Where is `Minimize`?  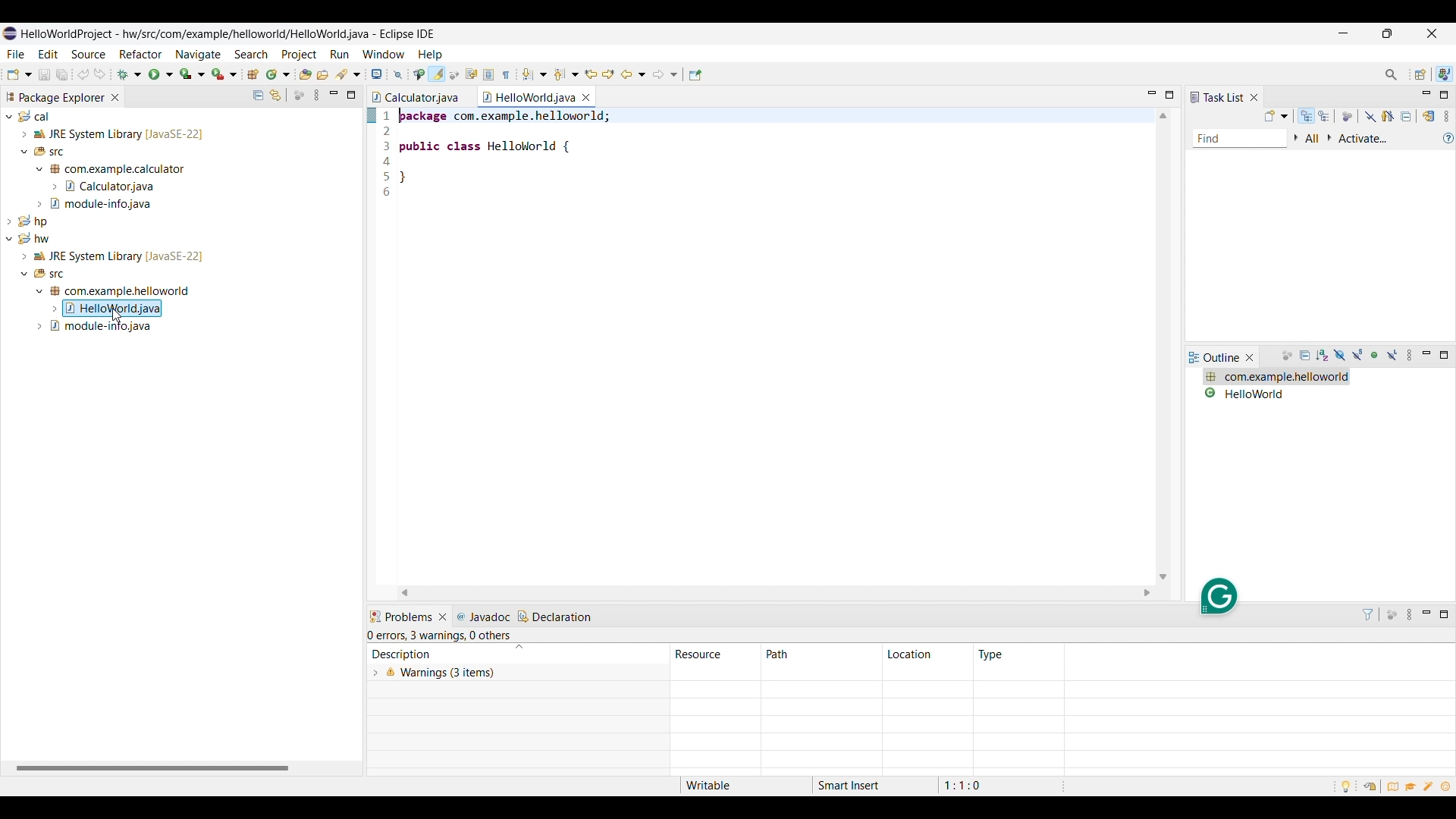 Minimize is located at coordinates (1343, 33).